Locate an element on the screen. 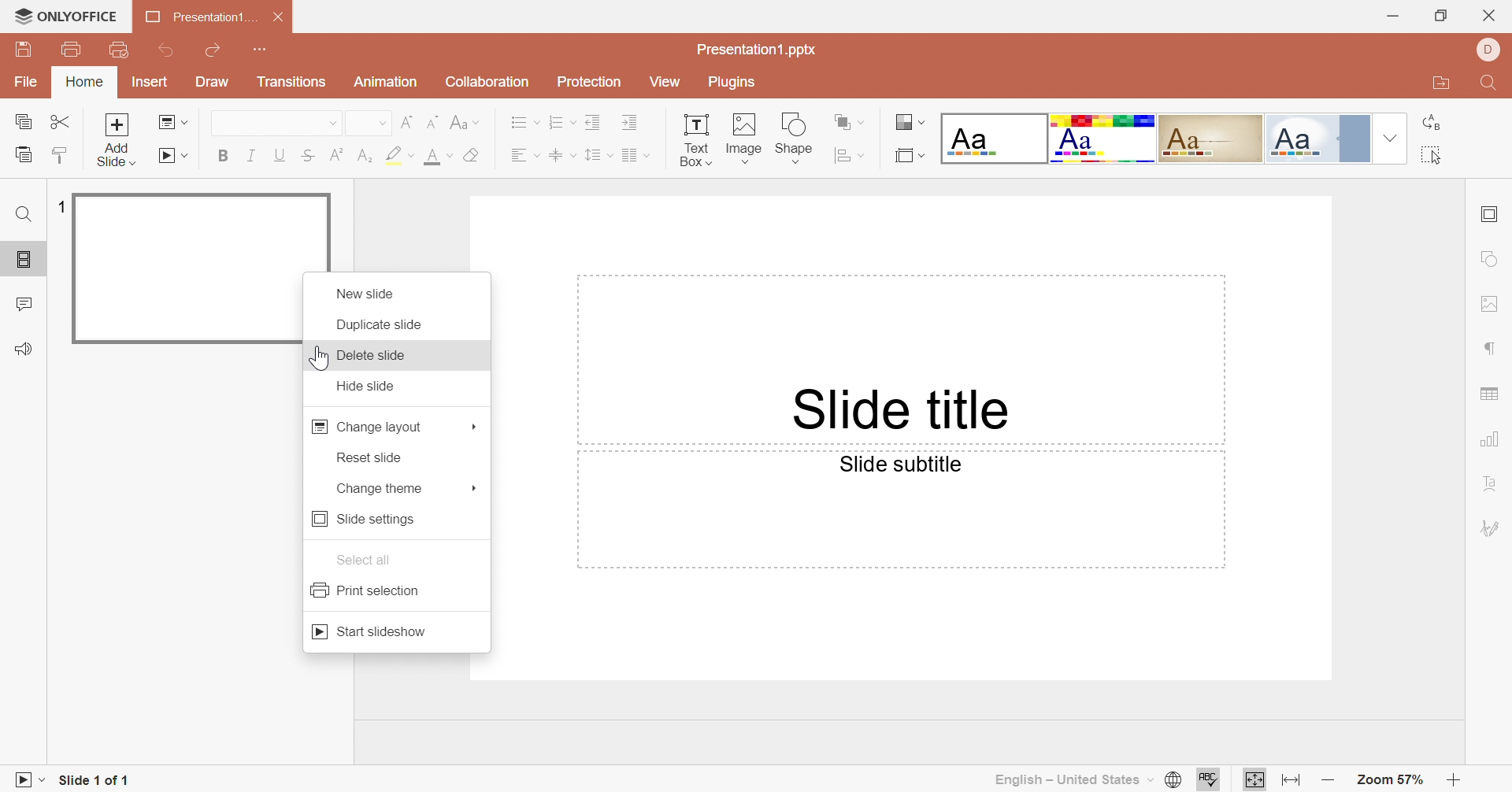 The width and height of the screenshot is (1512, 792). Drop Down is located at coordinates (481, 121).